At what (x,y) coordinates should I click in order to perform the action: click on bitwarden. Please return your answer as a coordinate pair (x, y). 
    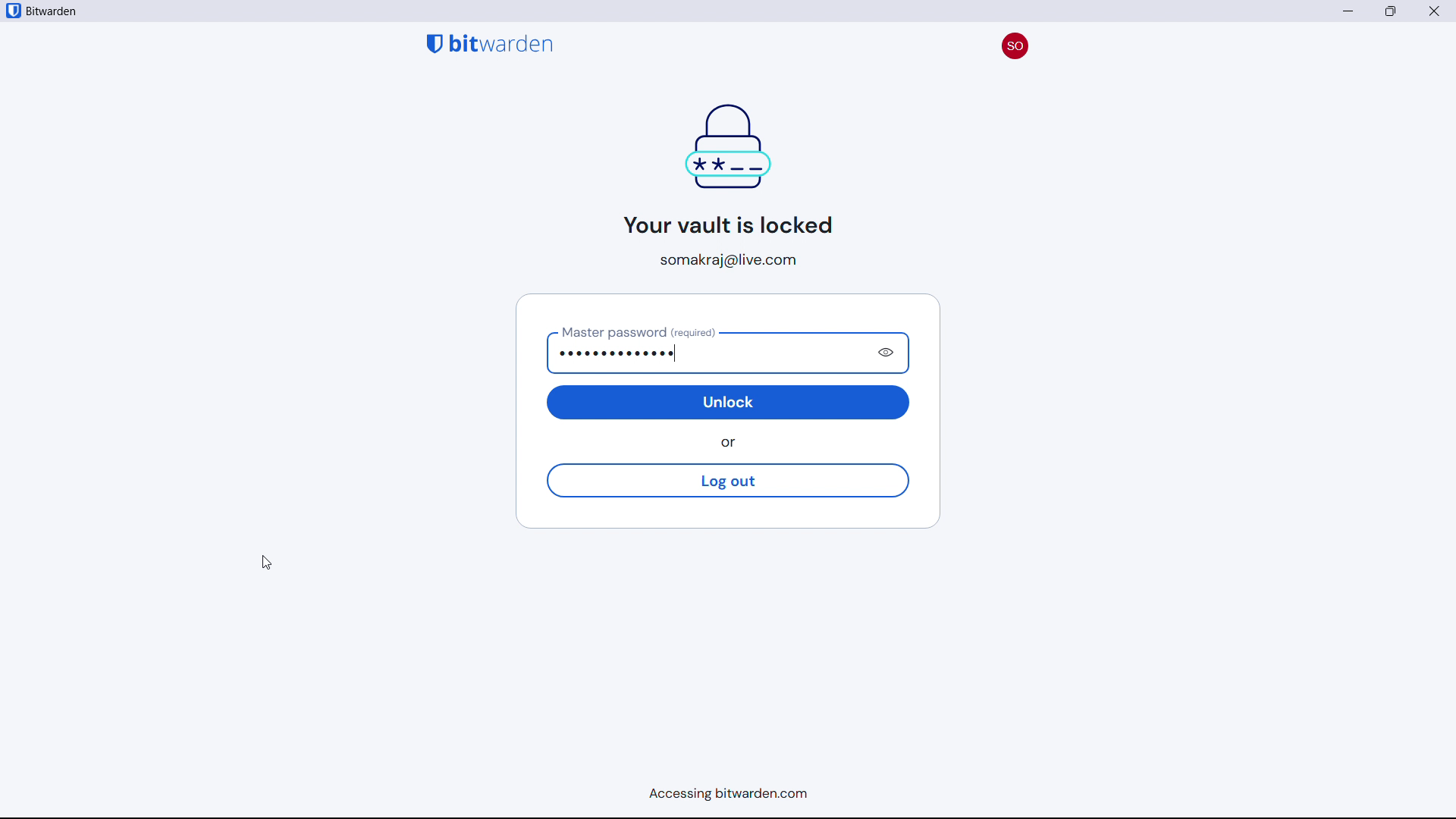
    Looking at the image, I should click on (58, 12).